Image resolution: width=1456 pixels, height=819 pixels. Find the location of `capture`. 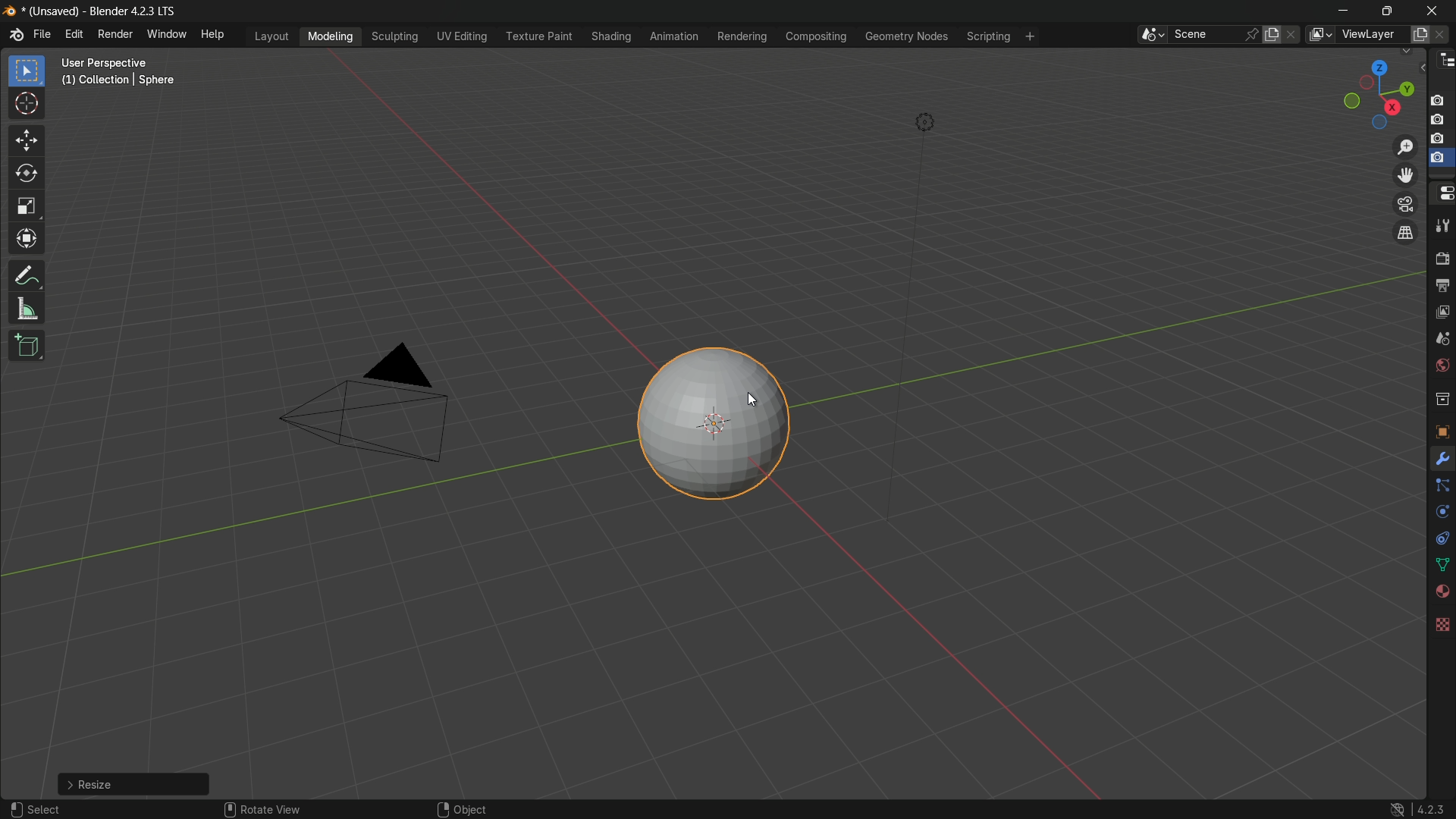

capture is located at coordinates (1441, 140).